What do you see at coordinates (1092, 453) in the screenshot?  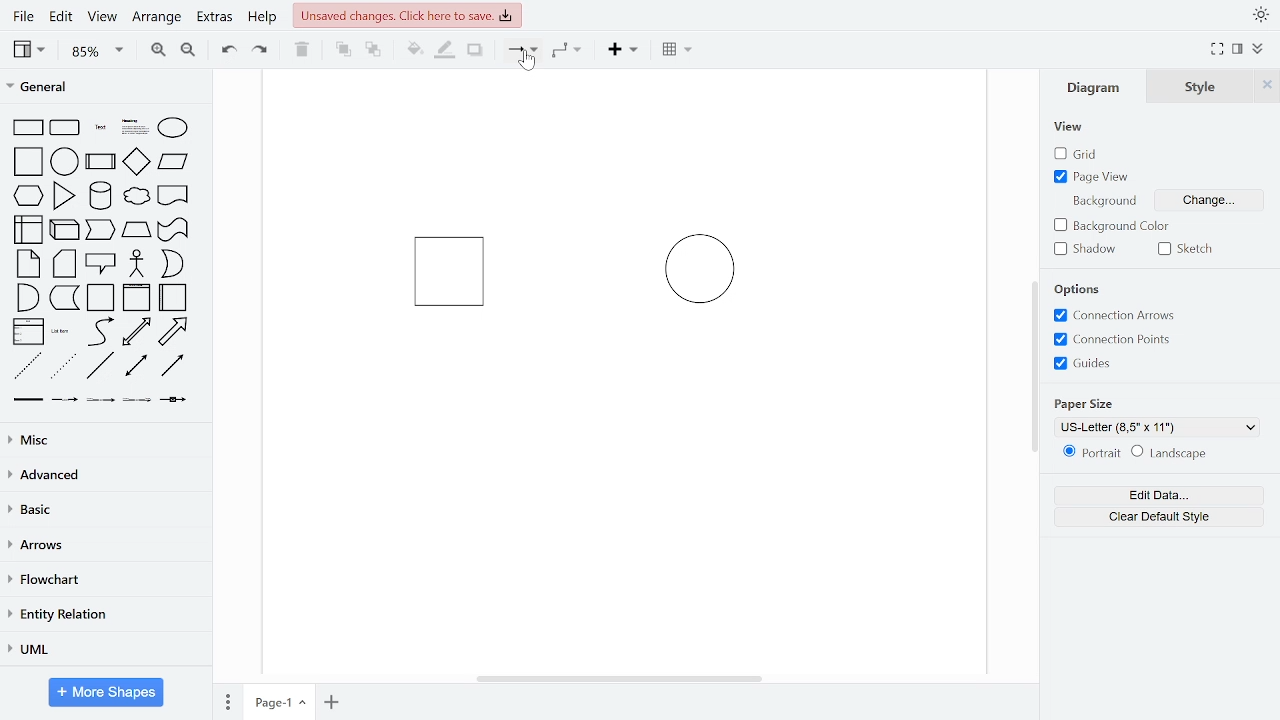 I see `portrait` at bounding box center [1092, 453].